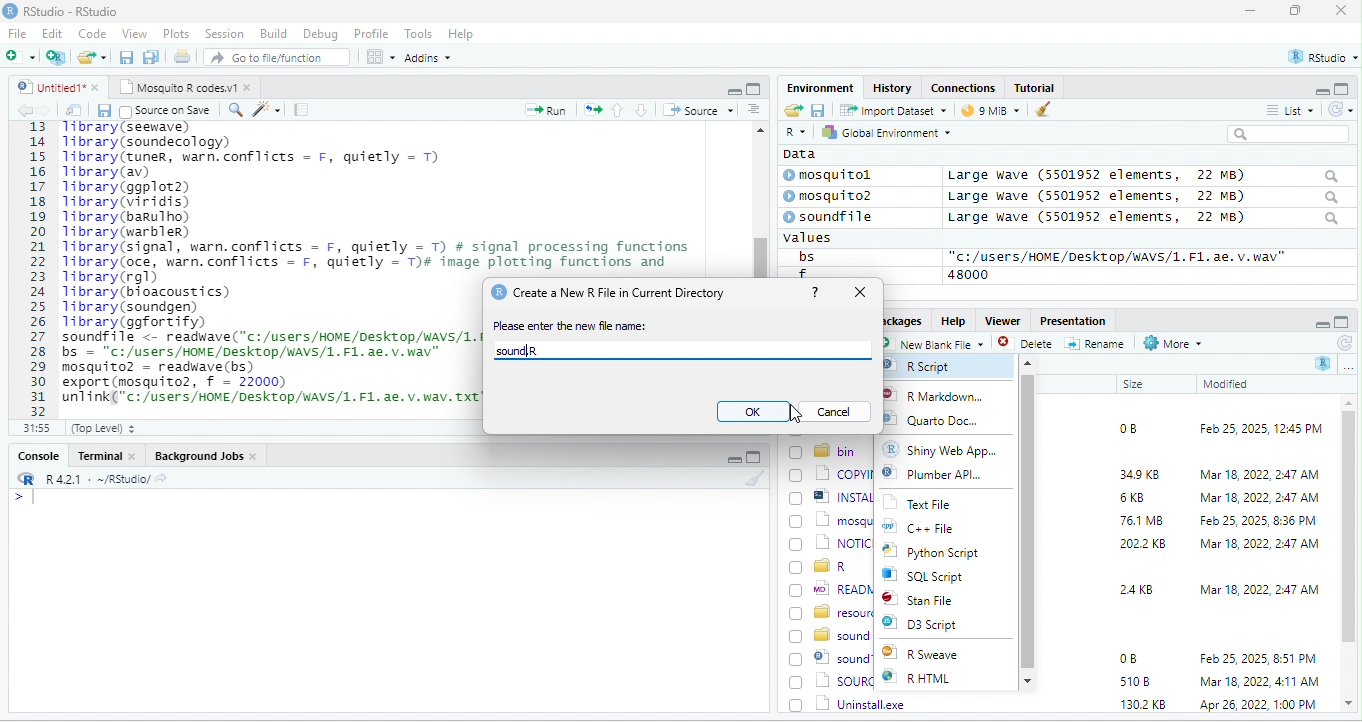 The image size is (1362, 722). Describe the element at coordinates (17, 33) in the screenshot. I see `File` at that location.